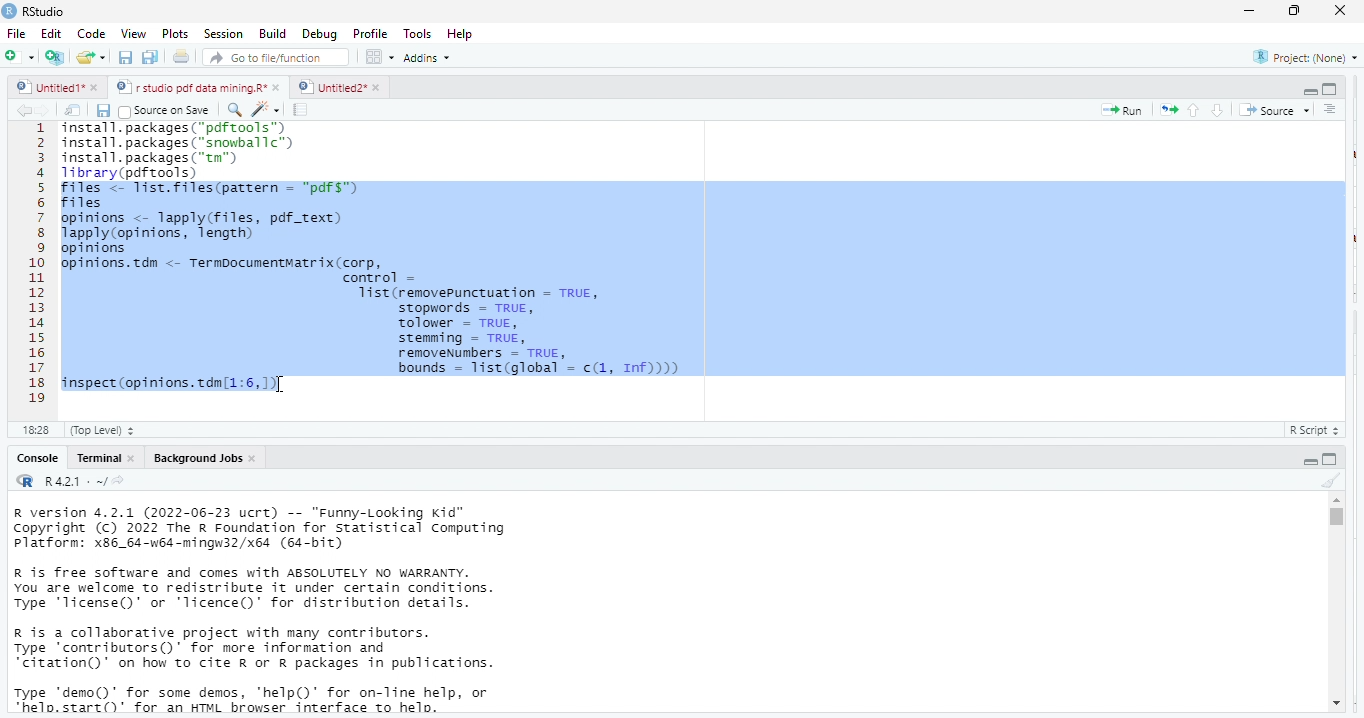  Describe the element at coordinates (36, 458) in the screenshot. I see `console` at that location.